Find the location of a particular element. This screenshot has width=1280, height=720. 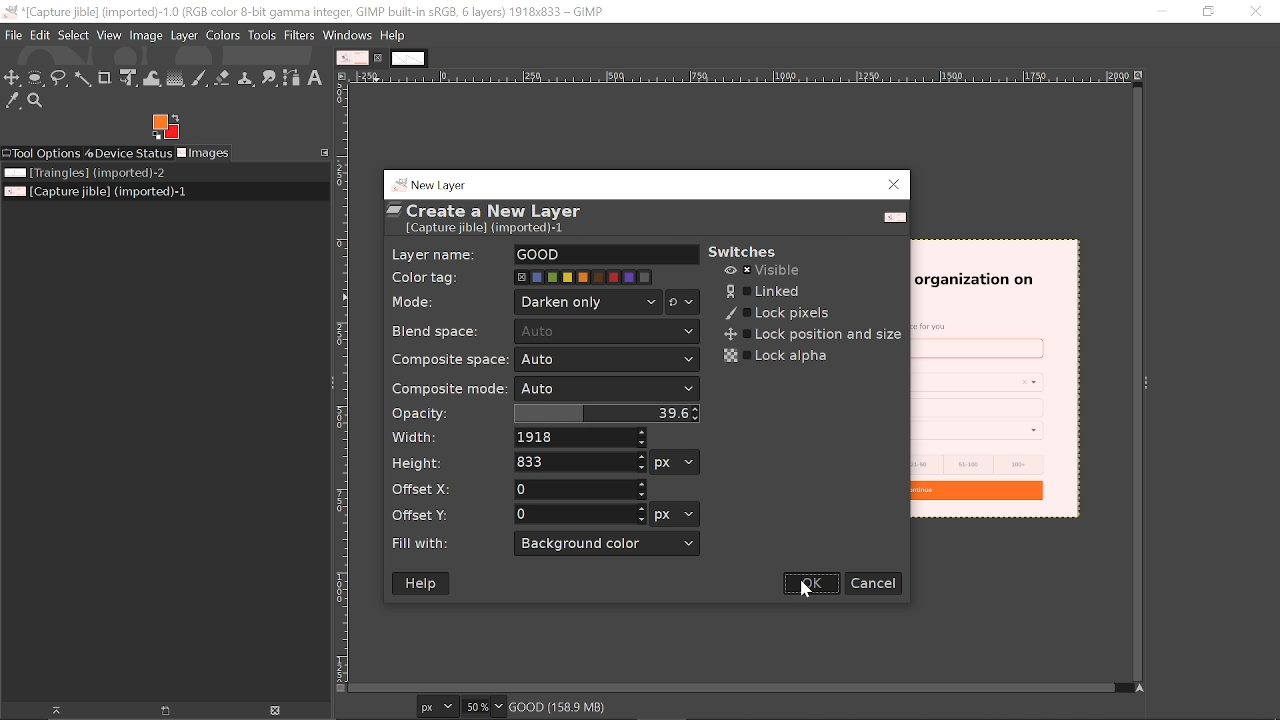

layer name is located at coordinates (606, 255).